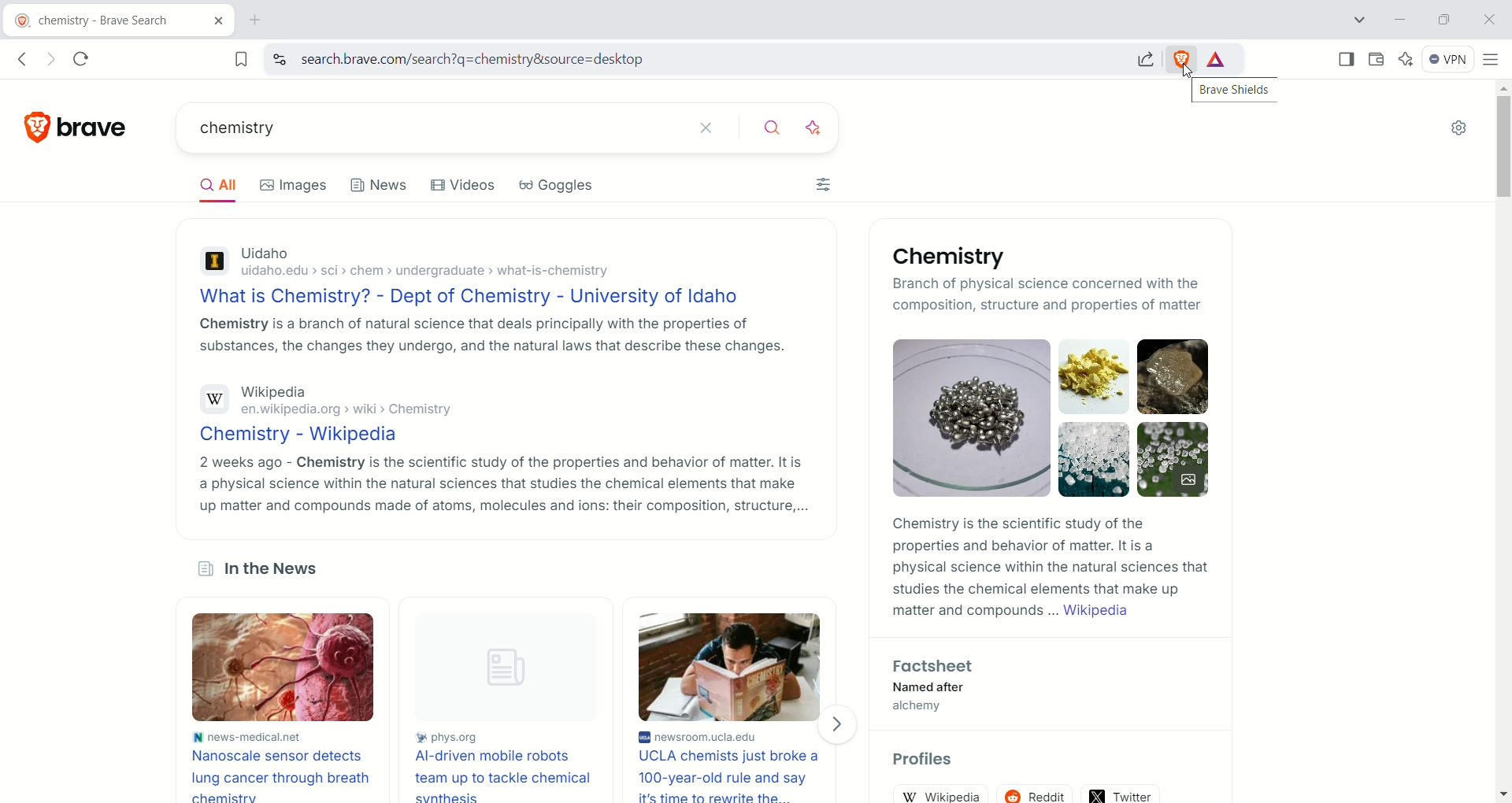 The image size is (1512, 803). Describe the element at coordinates (701, 61) in the screenshot. I see `search.brave.com/search?q=chemistry&source=desktop` at that location.